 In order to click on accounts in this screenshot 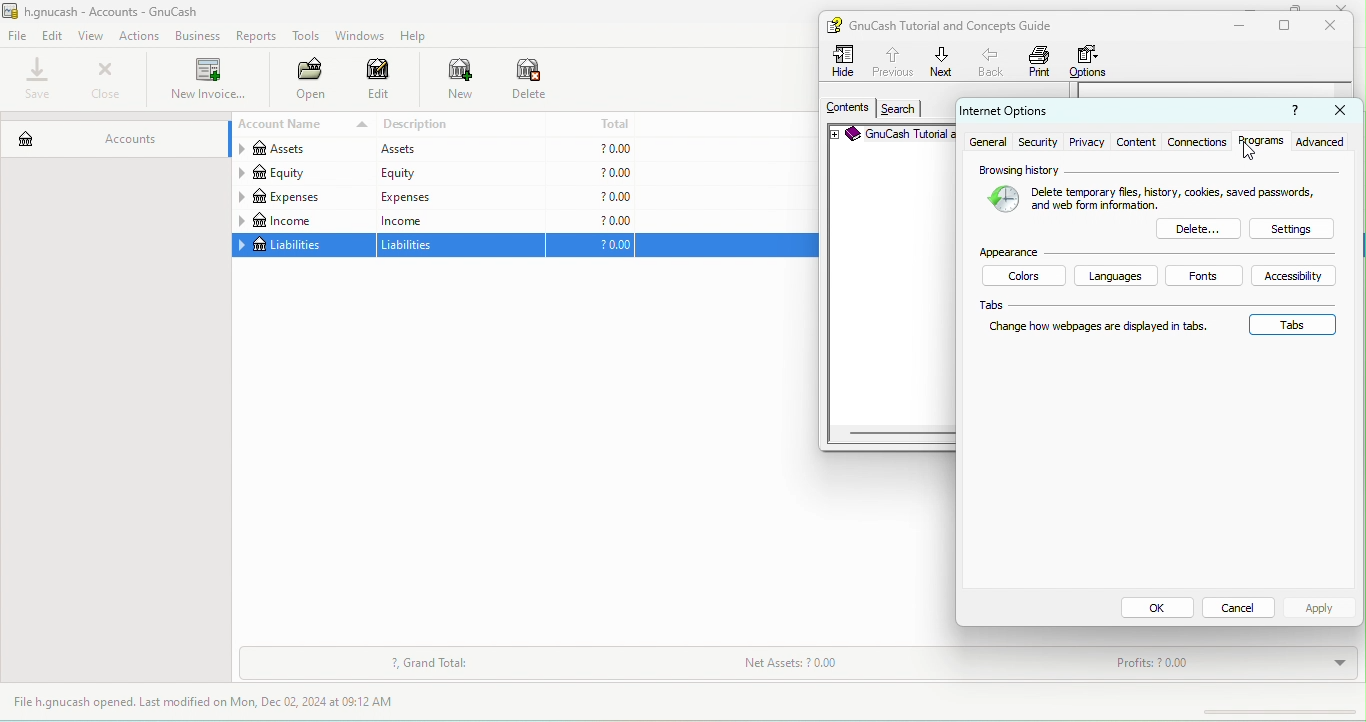, I will do `click(112, 134)`.